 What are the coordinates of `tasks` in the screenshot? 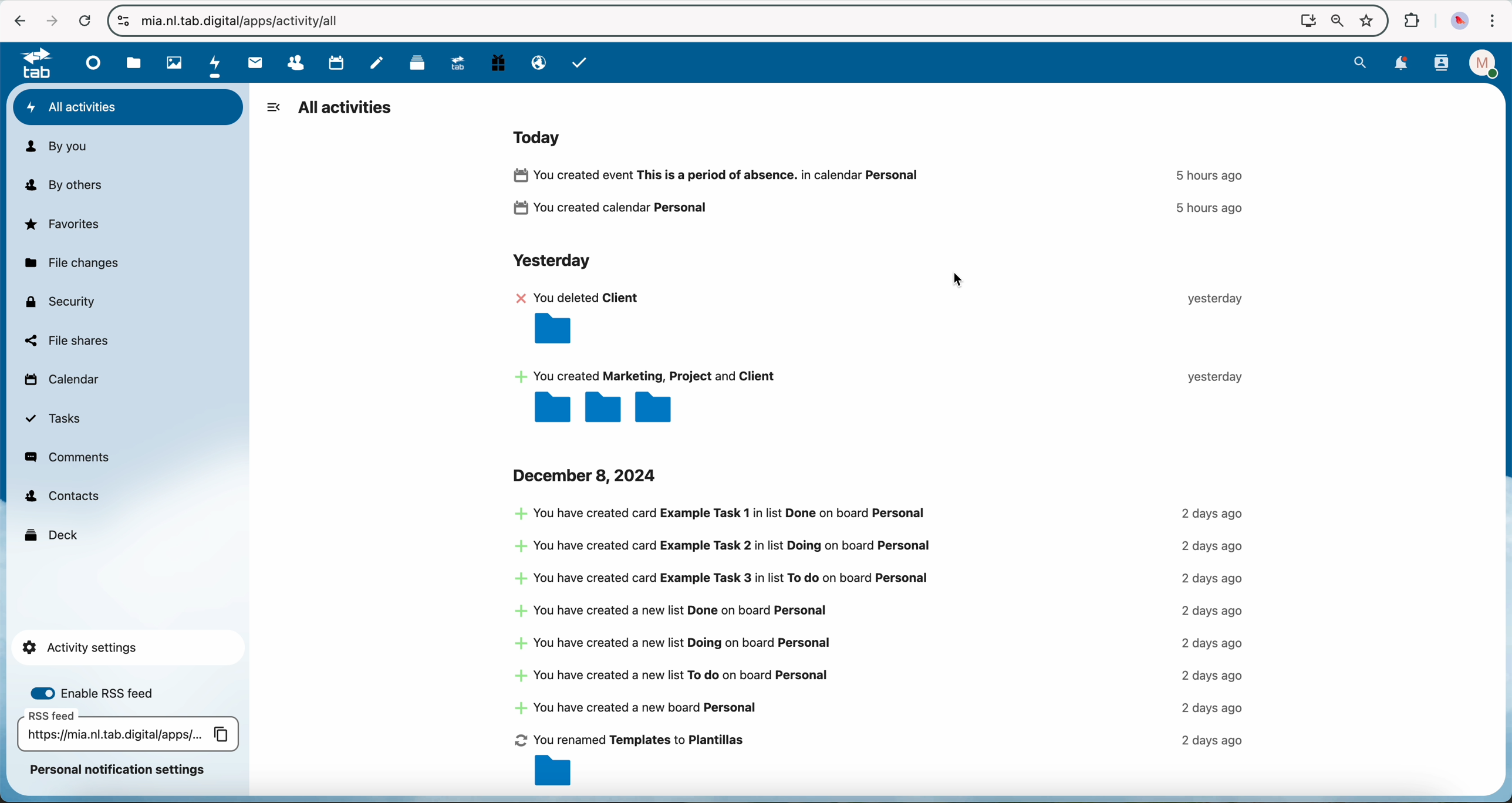 It's located at (580, 62).